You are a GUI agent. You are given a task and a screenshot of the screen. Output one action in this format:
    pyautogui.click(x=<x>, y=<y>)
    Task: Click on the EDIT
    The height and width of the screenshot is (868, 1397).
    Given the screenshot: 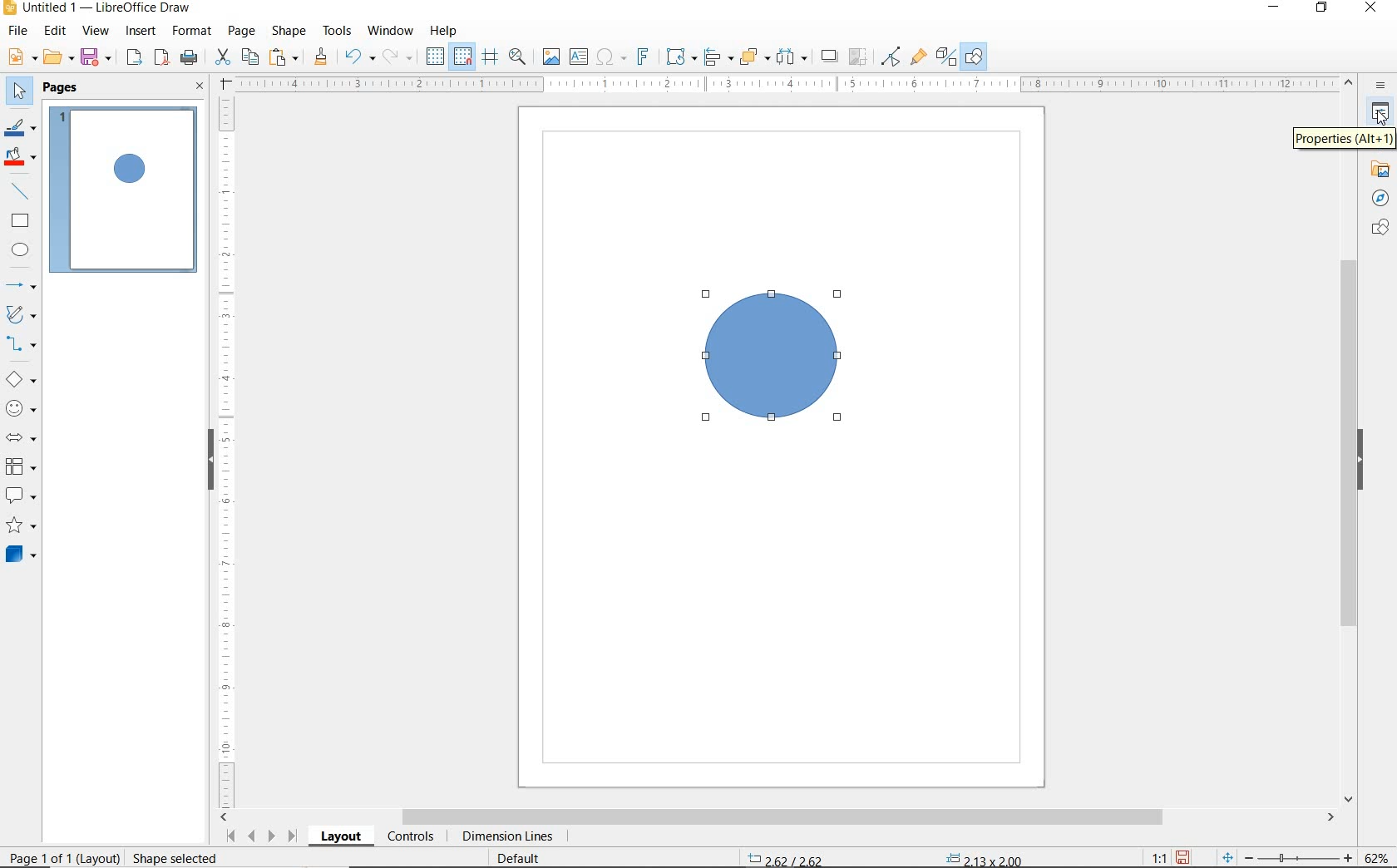 What is the action you would take?
    pyautogui.click(x=57, y=31)
    